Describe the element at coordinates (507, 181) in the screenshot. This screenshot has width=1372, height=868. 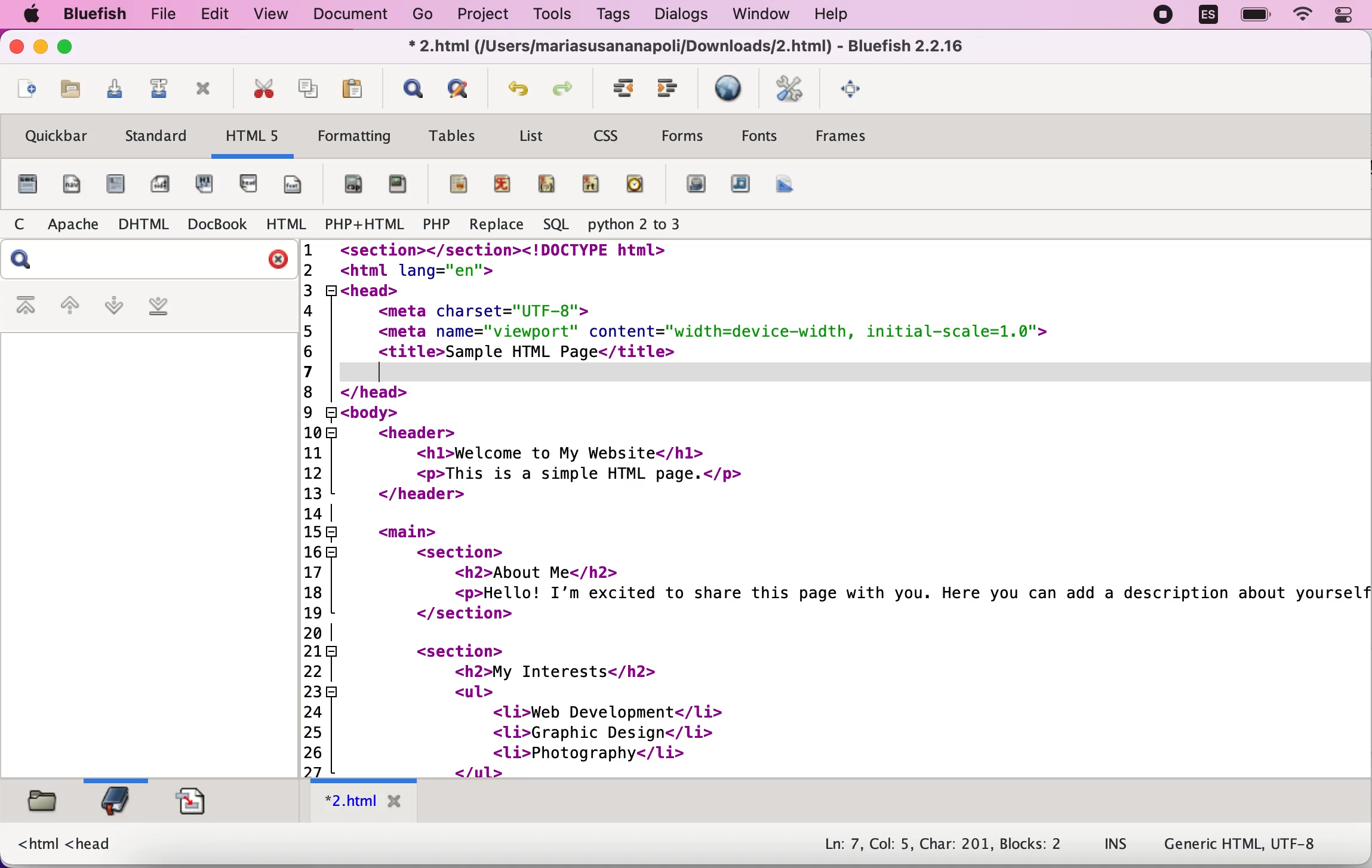
I see `ruby` at that location.